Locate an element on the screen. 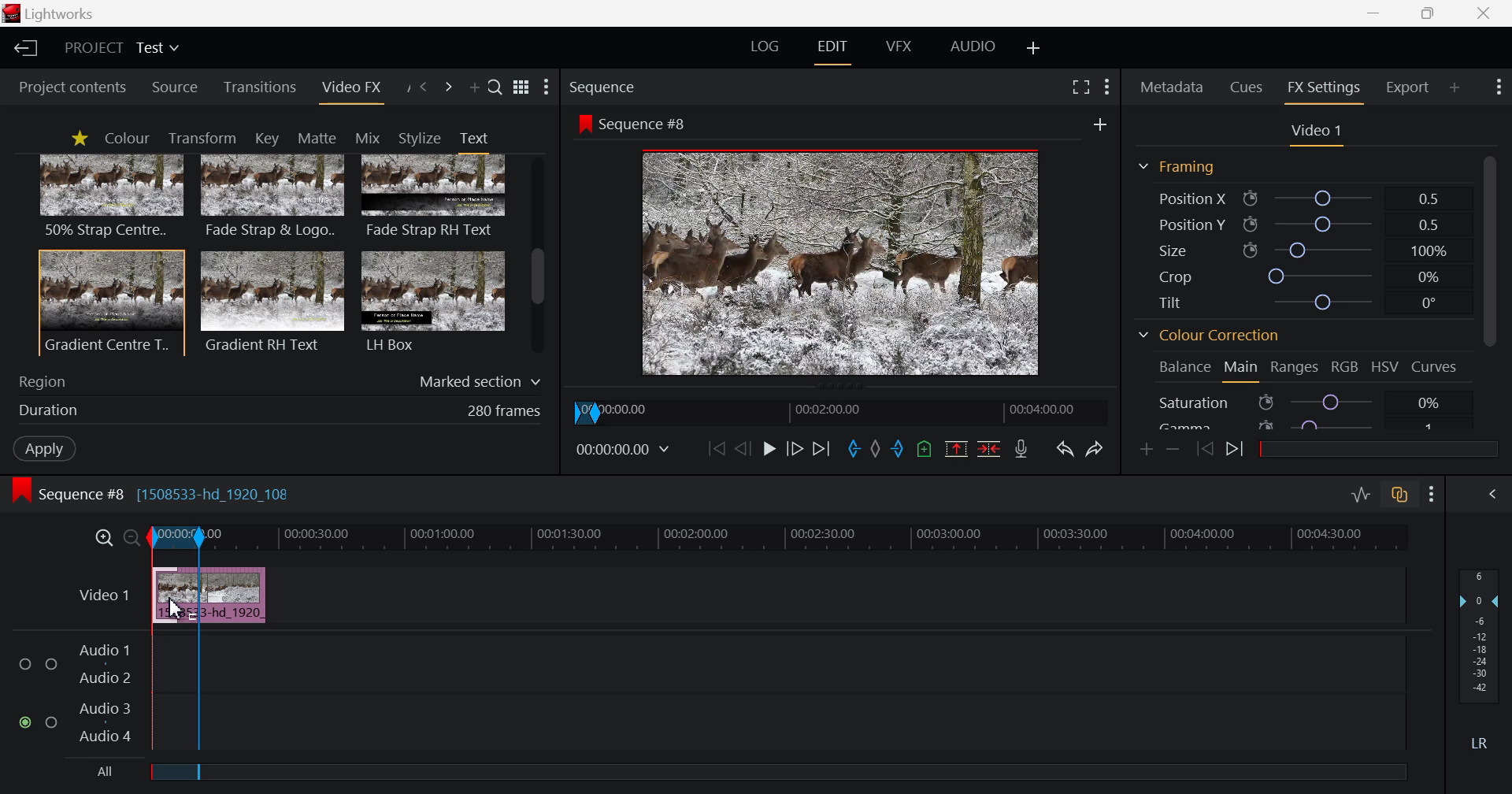 This screenshot has width=1512, height=794. Search is located at coordinates (495, 89).